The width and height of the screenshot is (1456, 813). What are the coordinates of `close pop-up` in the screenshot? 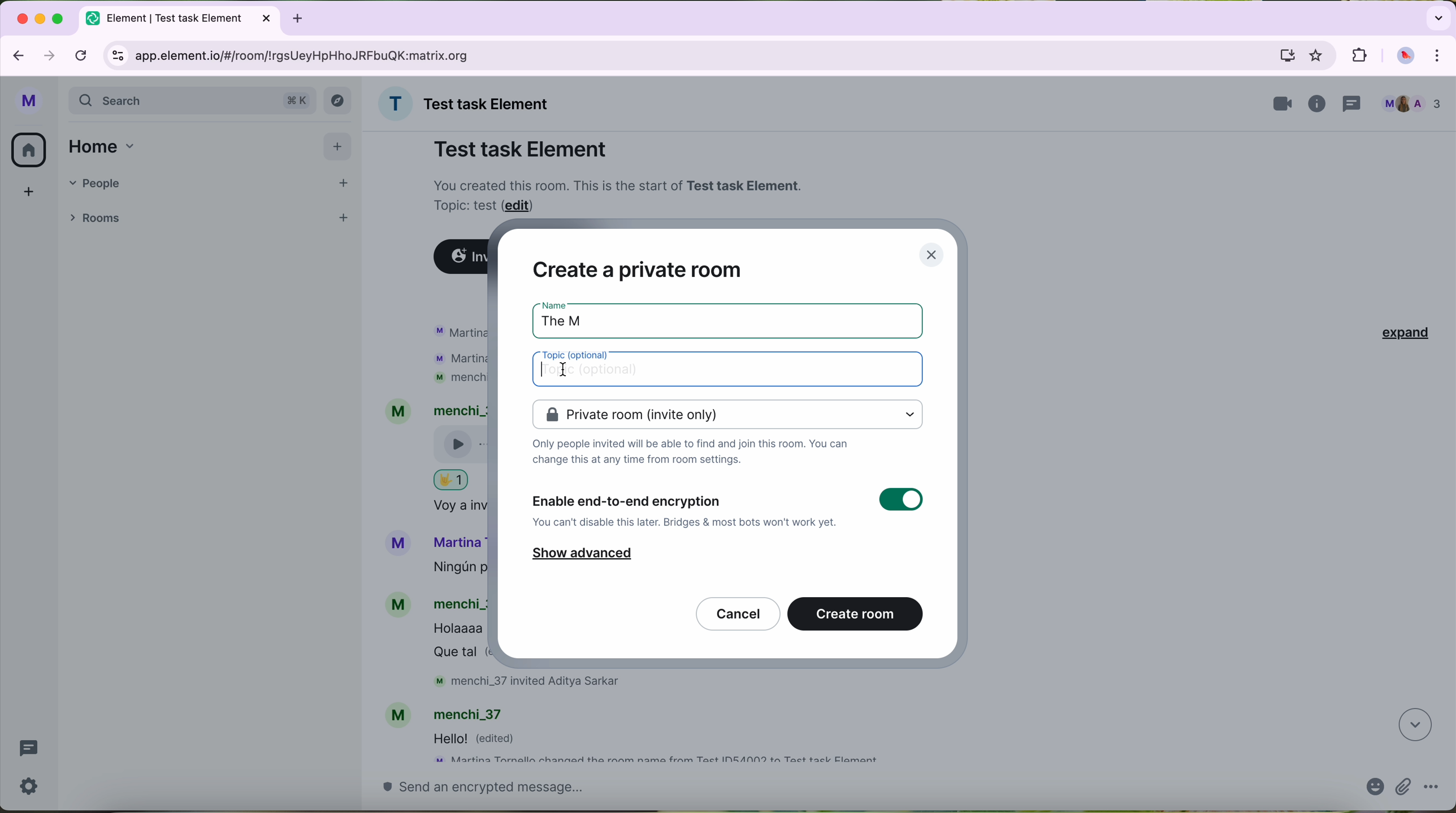 It's located at (934, 254).